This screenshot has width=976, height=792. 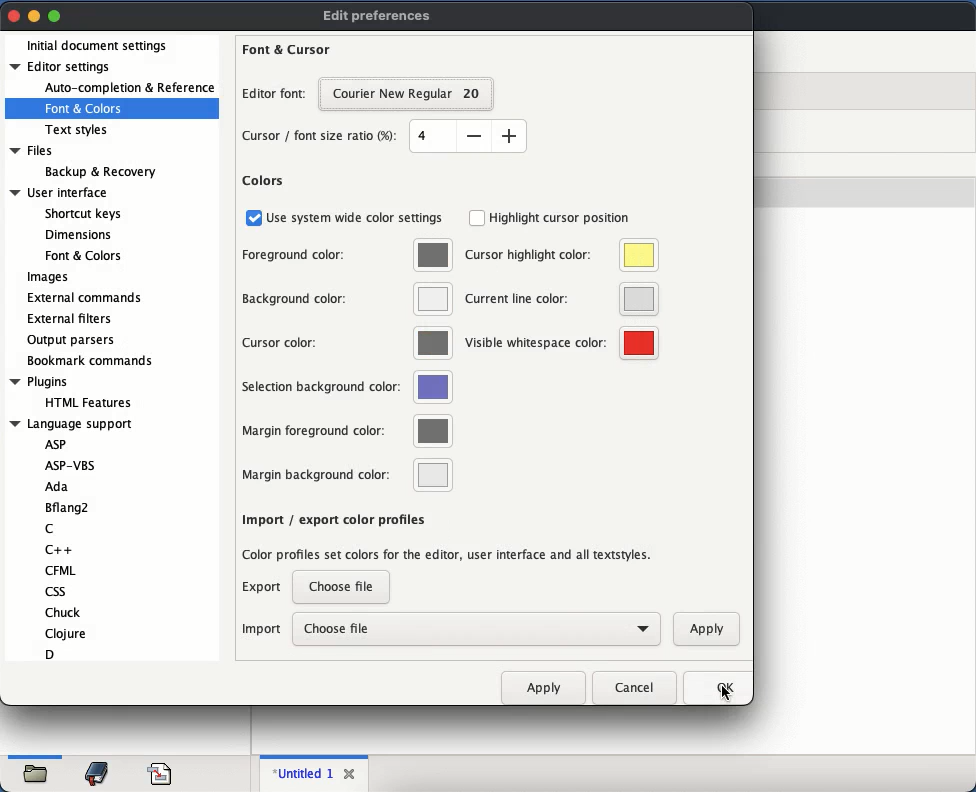 I want to click on editor font, so click(x=276, y=95).